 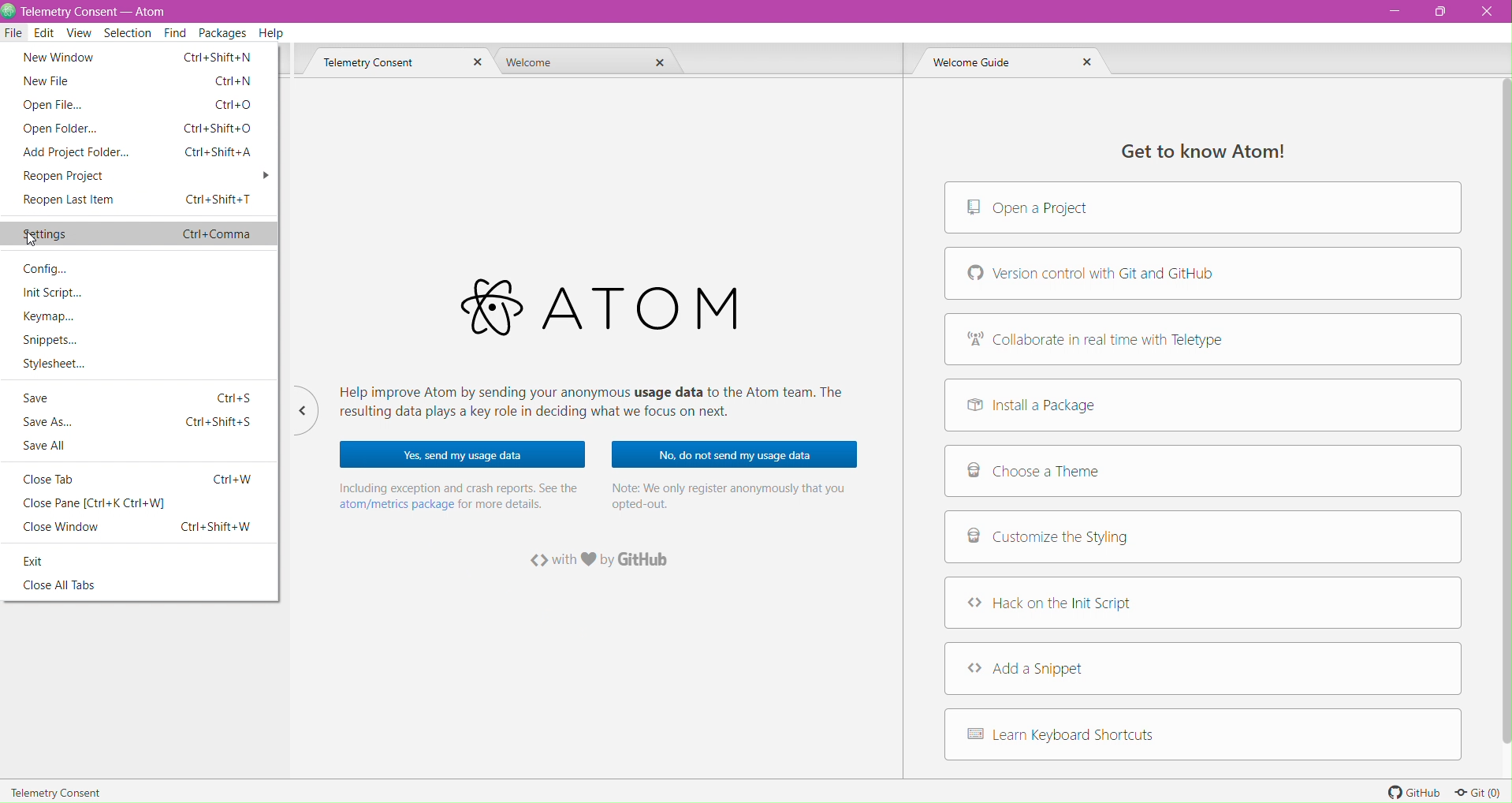 What do you see at coordinates (602, 404) in the screenshot?
I see `Help improve Atom by sending your anonymous usage data to the Atom team. The resulting data plays a key role in deciding what we focus on next.` at bounding box center [602, 404].